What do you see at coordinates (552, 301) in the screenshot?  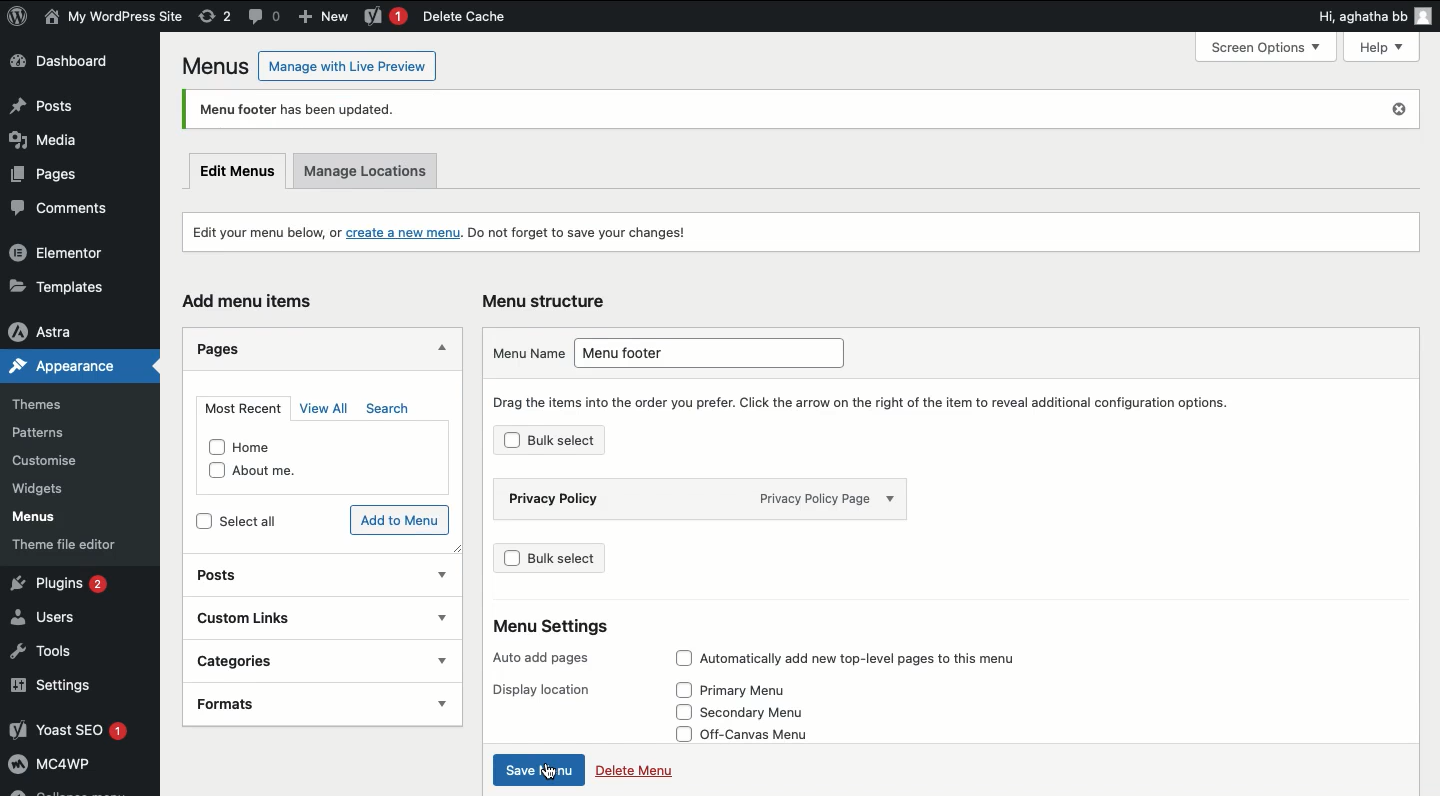 I see `Menu structure` at bounding box center [552, 301].